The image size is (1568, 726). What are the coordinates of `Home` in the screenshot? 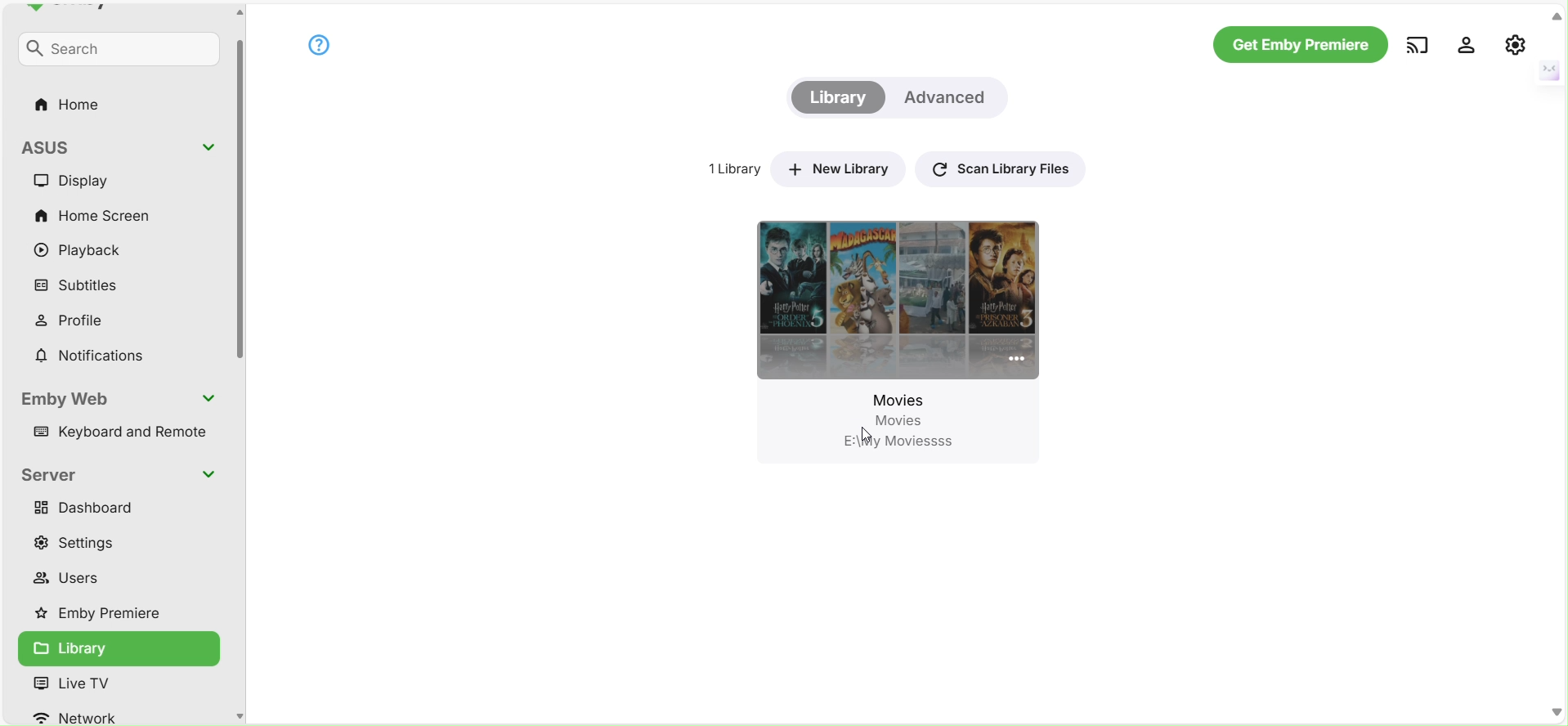 It's located at (74, 103).